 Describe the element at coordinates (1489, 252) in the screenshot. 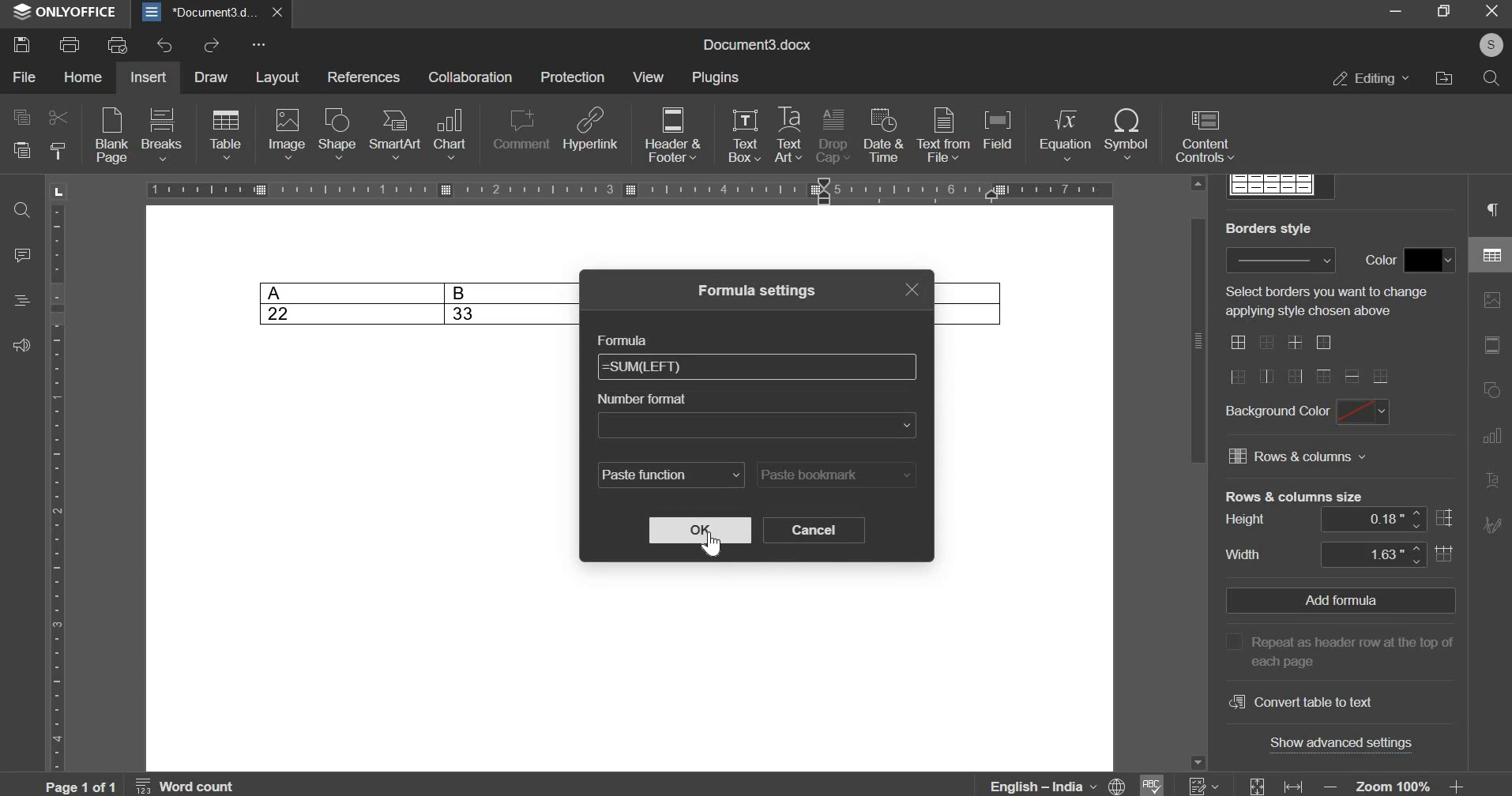

I see `table settings` at that location.